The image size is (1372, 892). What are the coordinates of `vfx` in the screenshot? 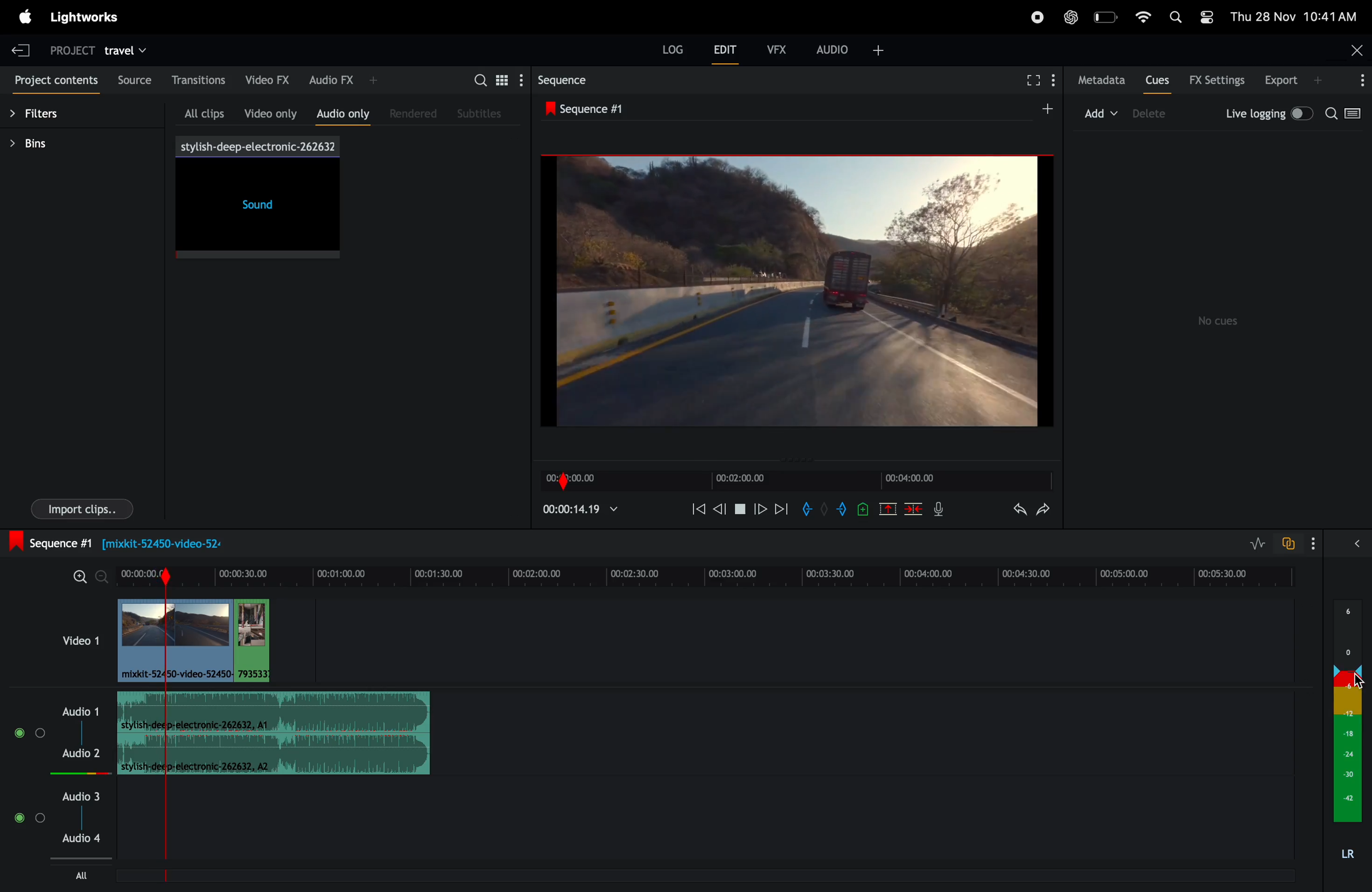 It's located at (775, 49).